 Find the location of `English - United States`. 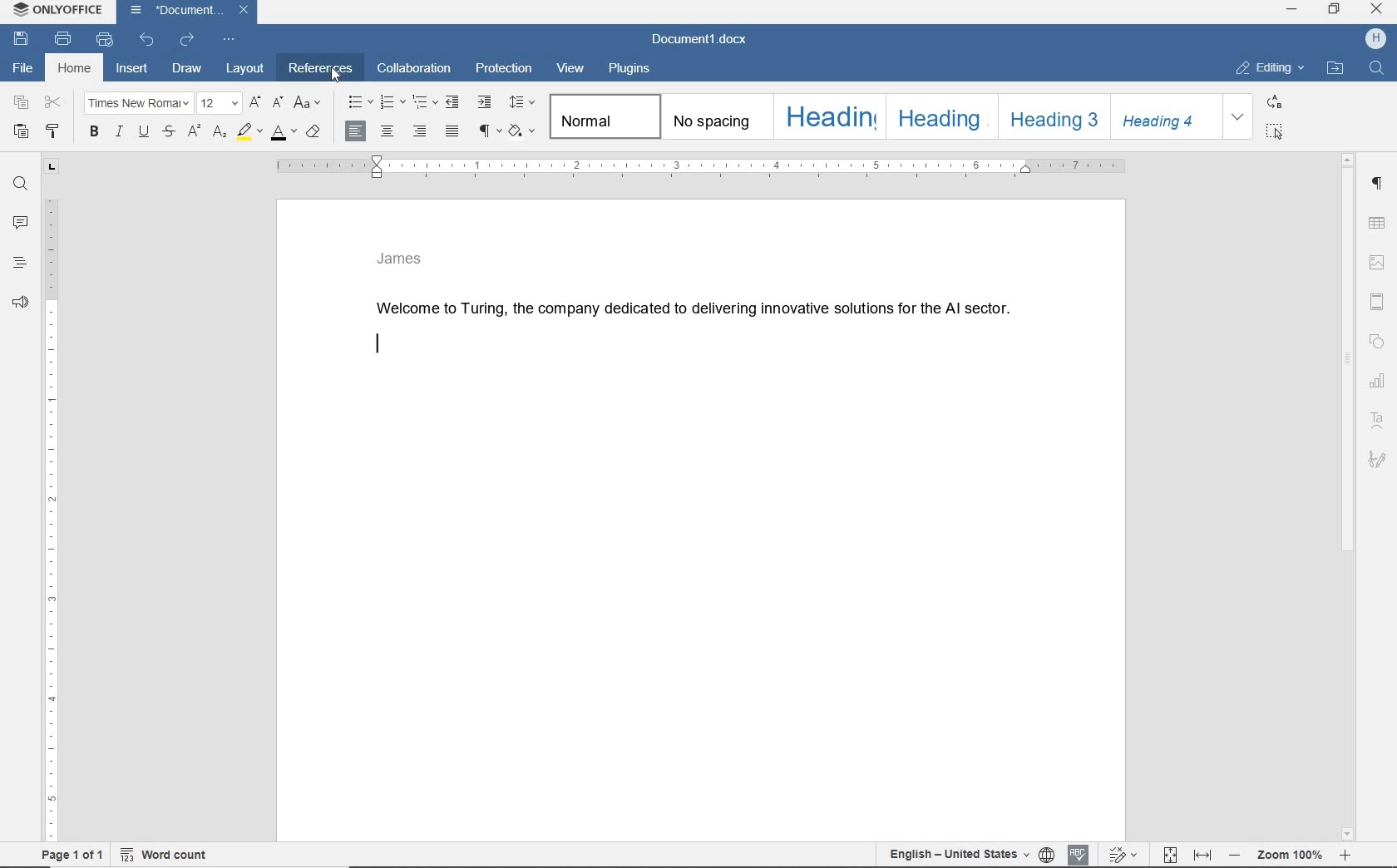

English - United States is located at coordinates (949, 856).